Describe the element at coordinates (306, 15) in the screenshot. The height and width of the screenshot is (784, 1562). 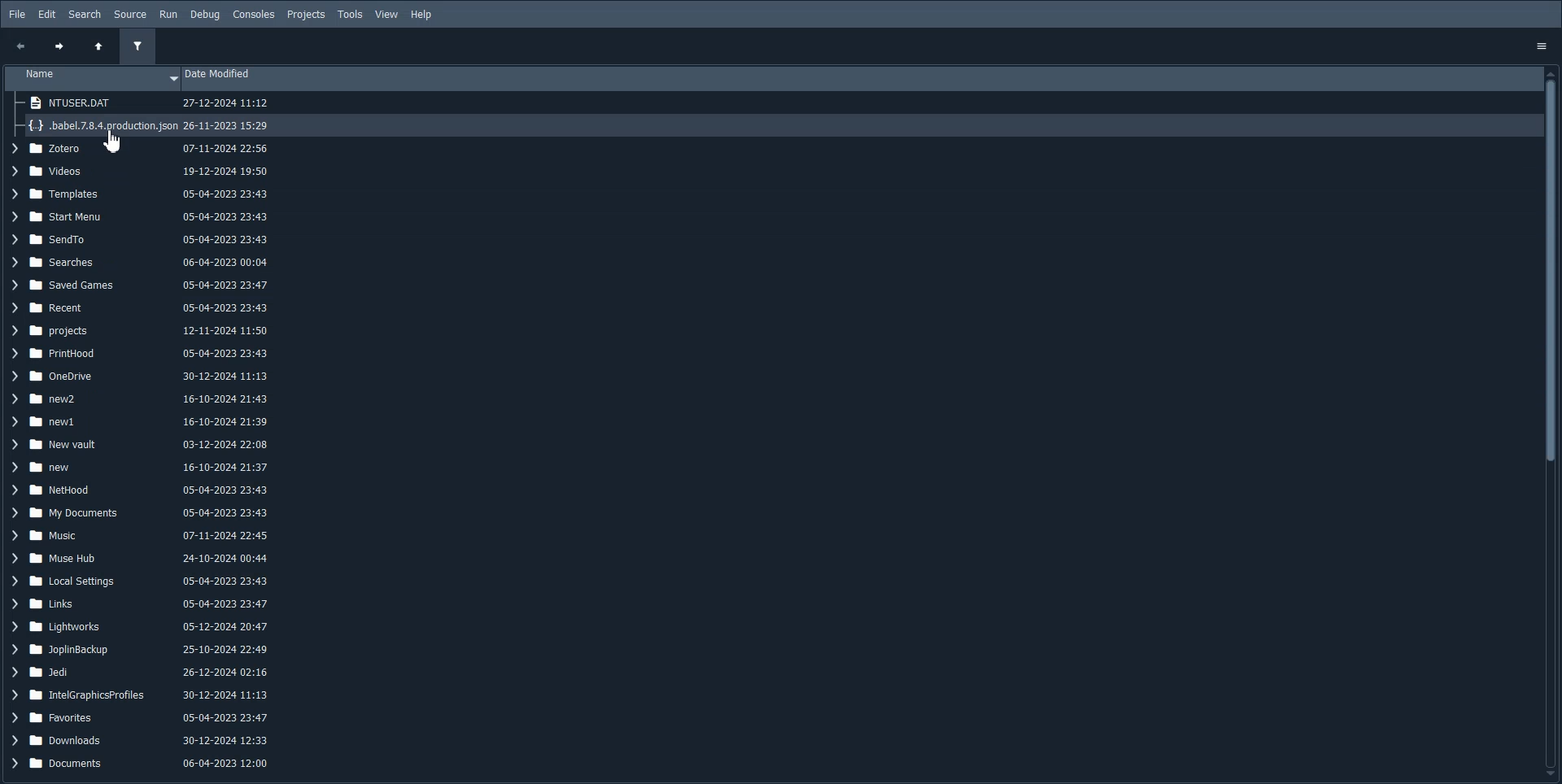
I see `Projects` at that location.